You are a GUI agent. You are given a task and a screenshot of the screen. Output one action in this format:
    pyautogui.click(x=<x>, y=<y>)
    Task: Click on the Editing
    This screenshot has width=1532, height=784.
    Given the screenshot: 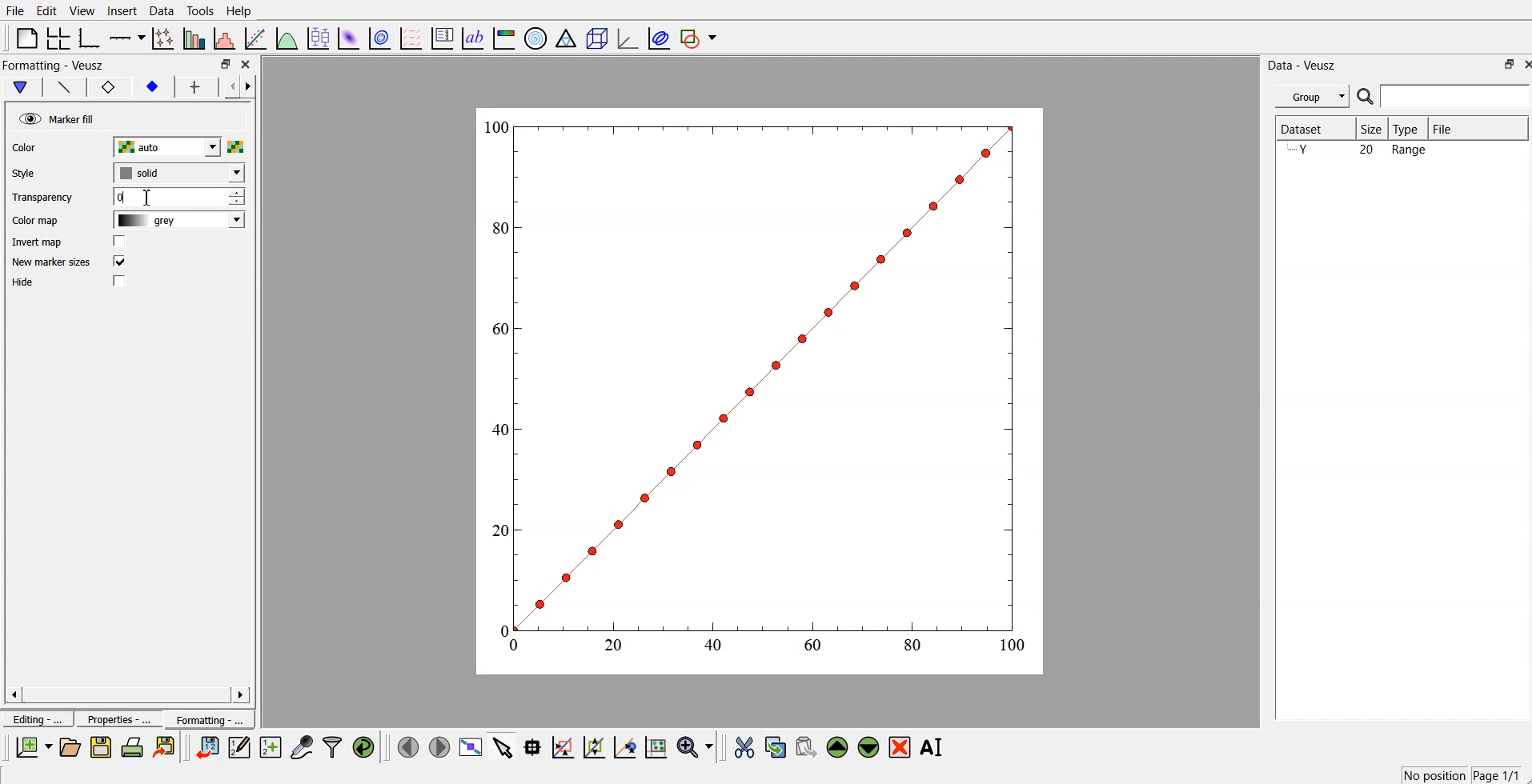 What is the action you would take?
    pyautogui.click(x=36, y=718)
    